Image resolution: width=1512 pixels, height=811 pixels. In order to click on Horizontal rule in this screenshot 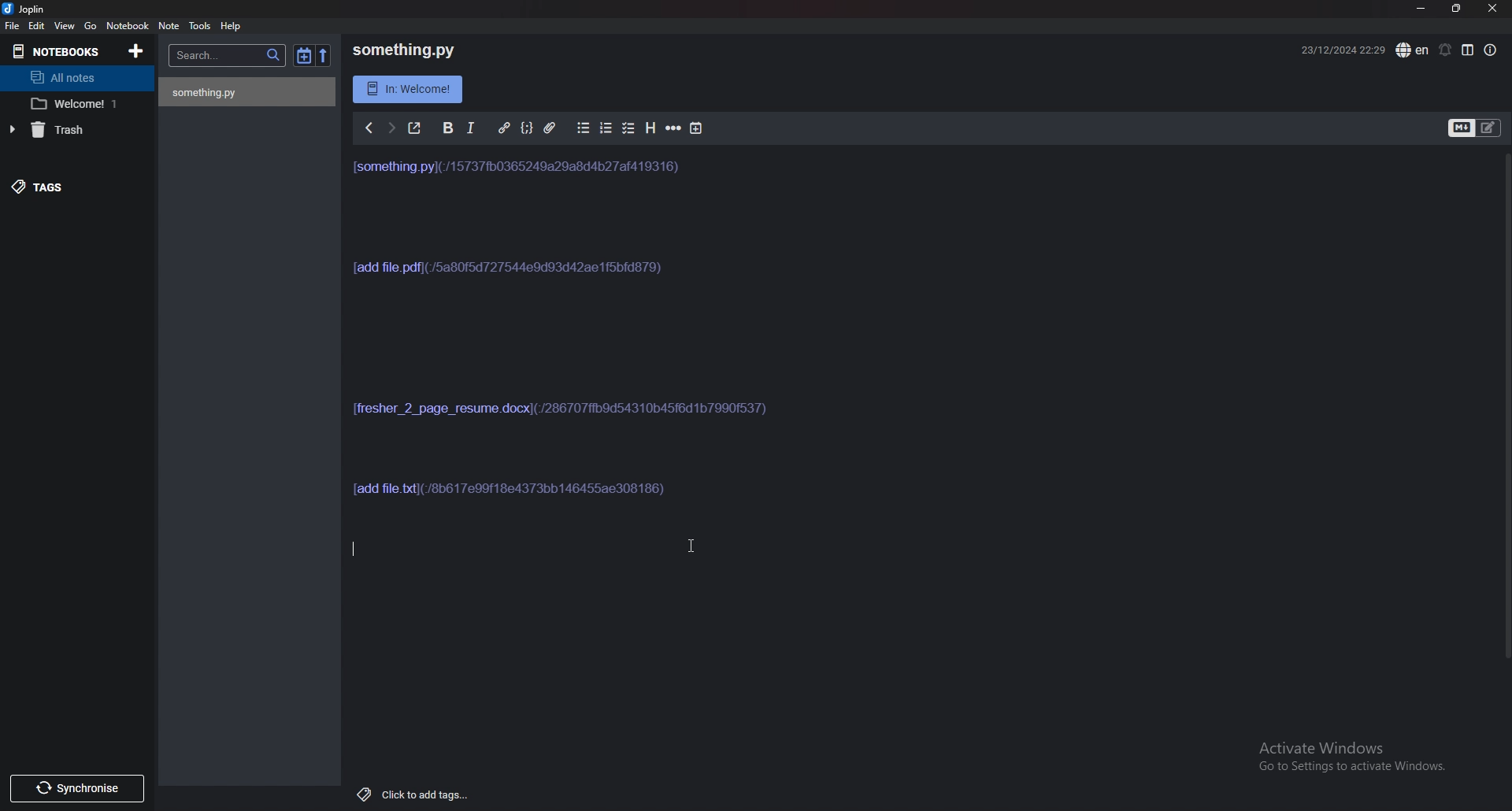, I will do `click(675, 127)`.